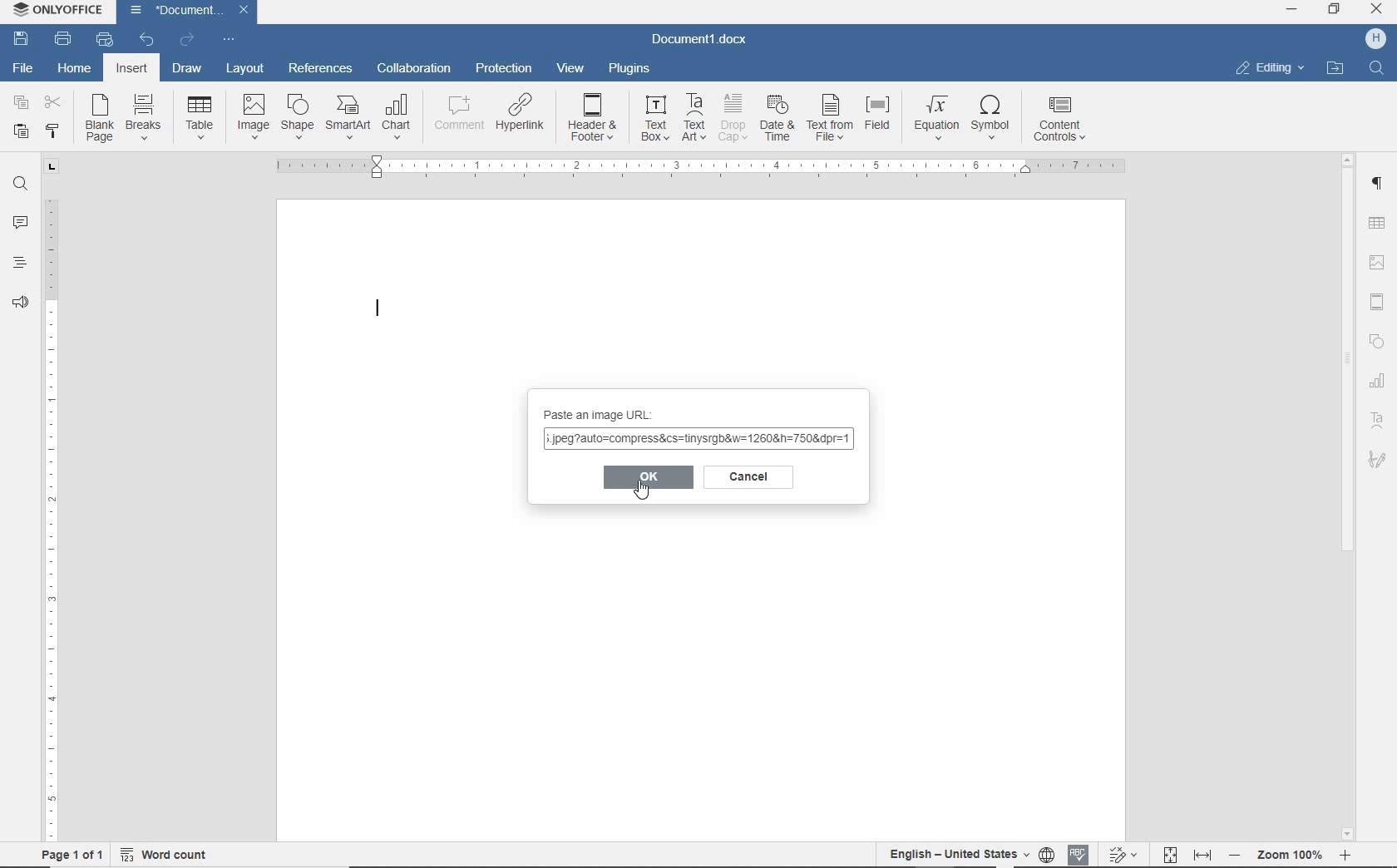 The width and height of the screenshot is (1397, 868). Describe the element at coordinates (191, 11) in the screenshot. I see `Document1(document name)` at that location.